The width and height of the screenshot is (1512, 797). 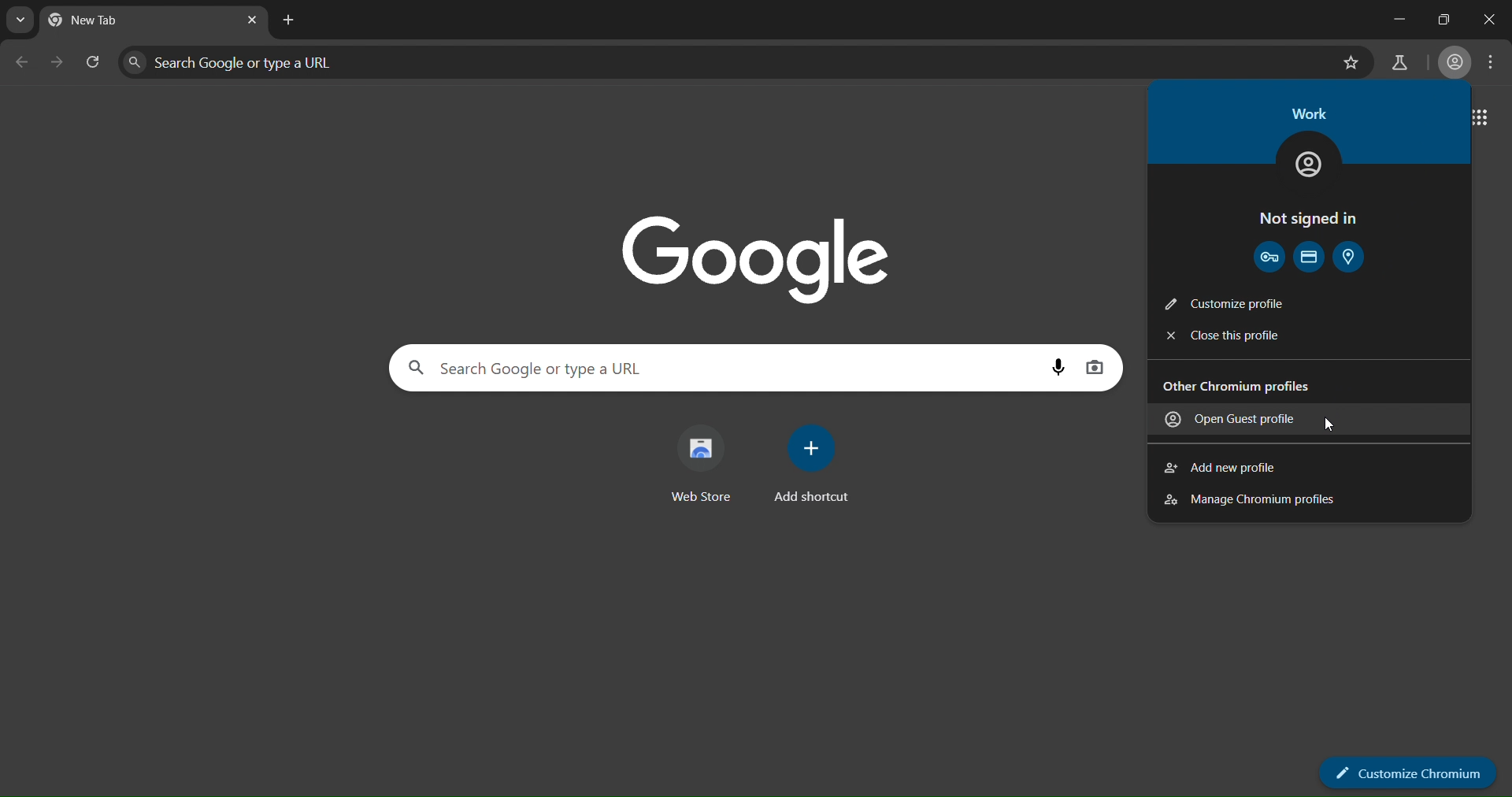 I want to click on payment, so click(x=1310, y=258).